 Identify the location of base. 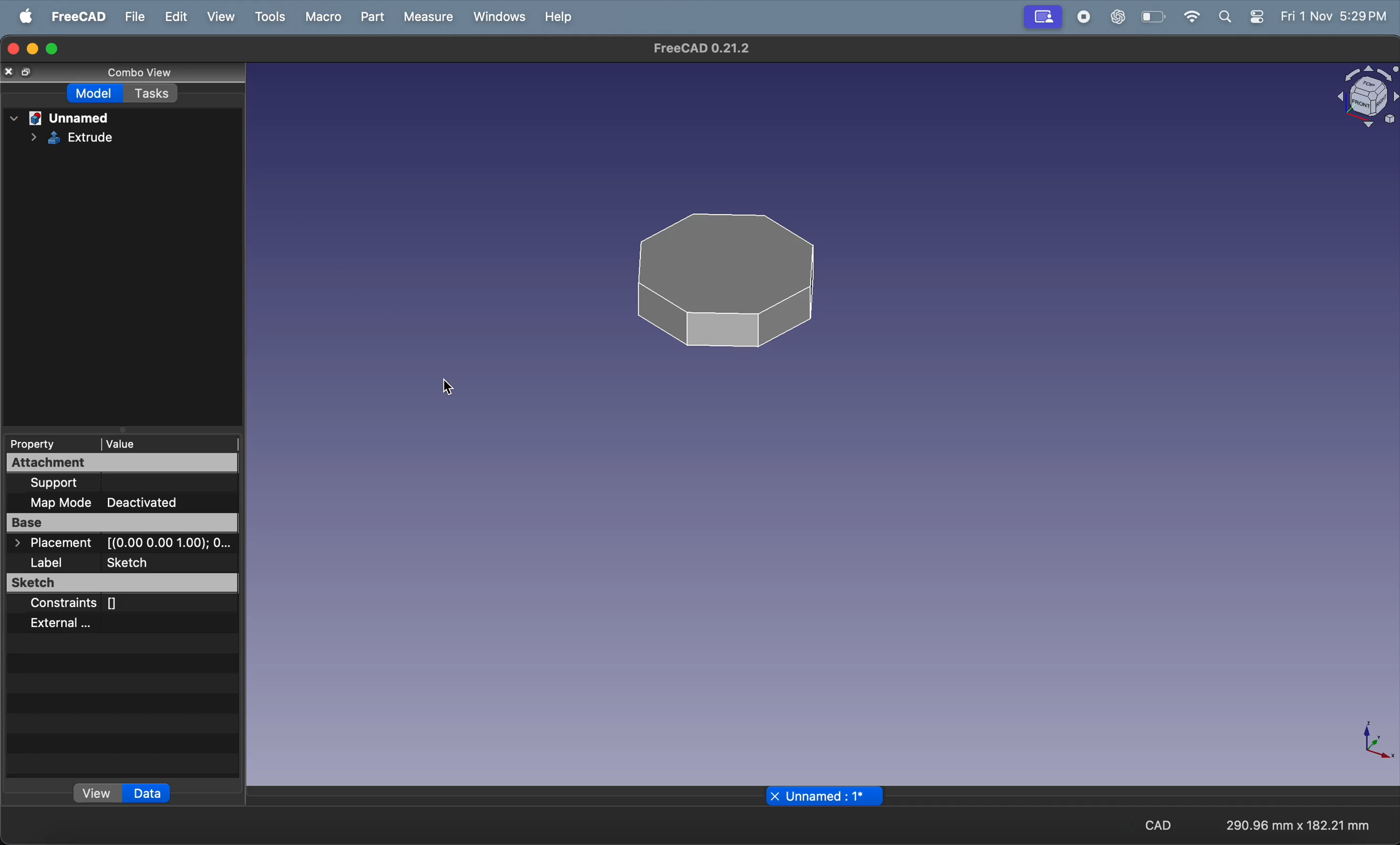
(126, 522).